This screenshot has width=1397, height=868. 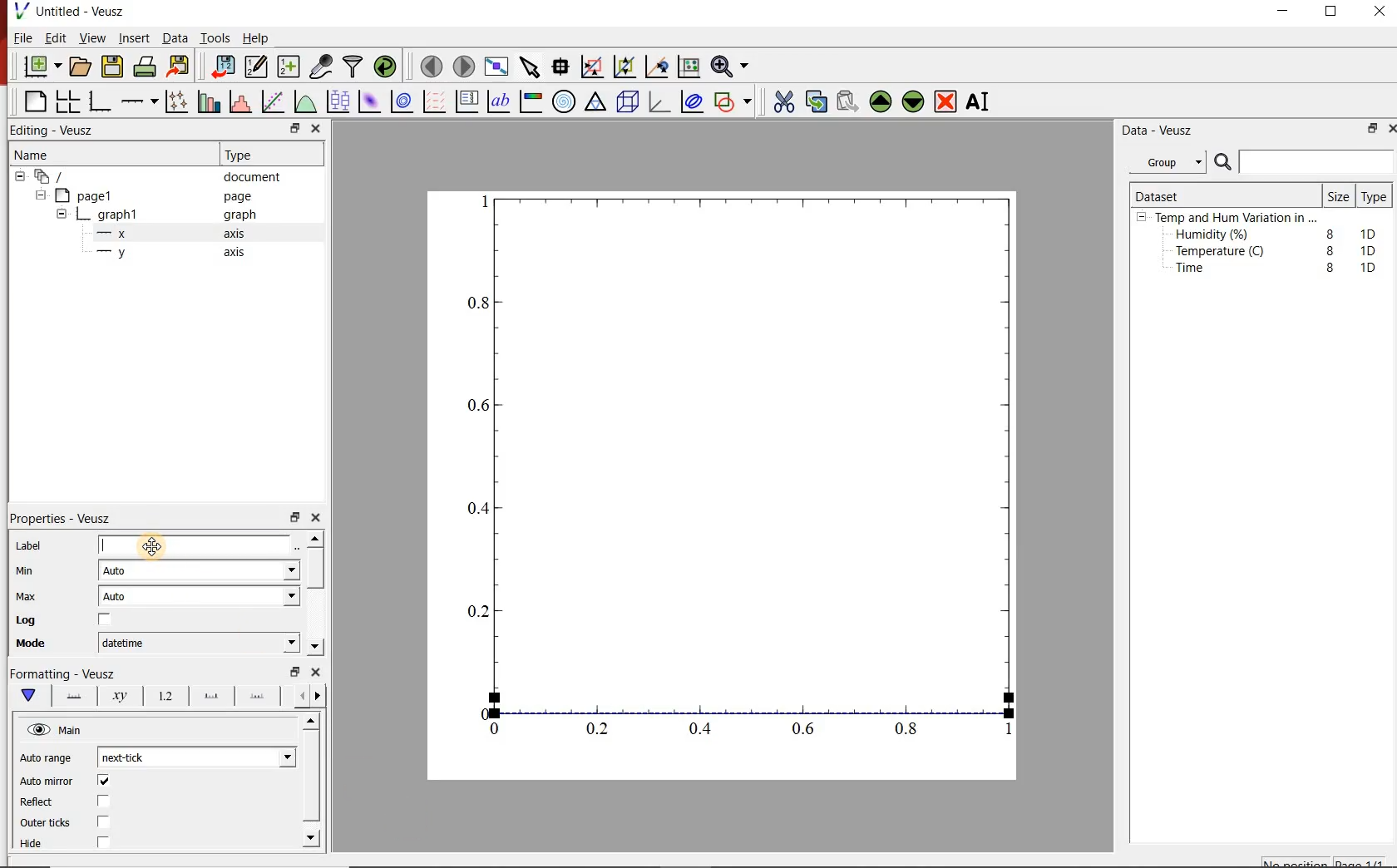 What do you see at coordinates (696, 105) in the screenshot?
I see `plot covariance ellipses` at bounding box center [696, 105].